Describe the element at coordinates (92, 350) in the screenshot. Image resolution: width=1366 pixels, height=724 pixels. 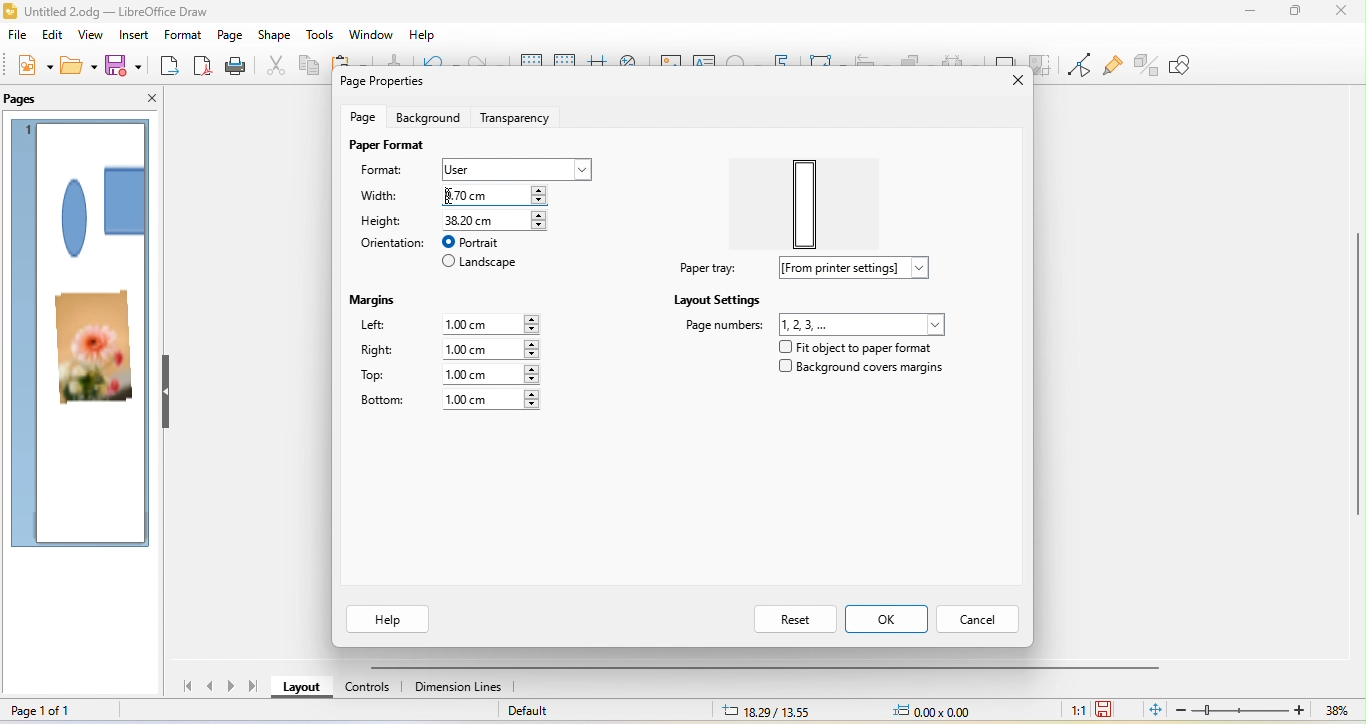
I see `photo` at that location.